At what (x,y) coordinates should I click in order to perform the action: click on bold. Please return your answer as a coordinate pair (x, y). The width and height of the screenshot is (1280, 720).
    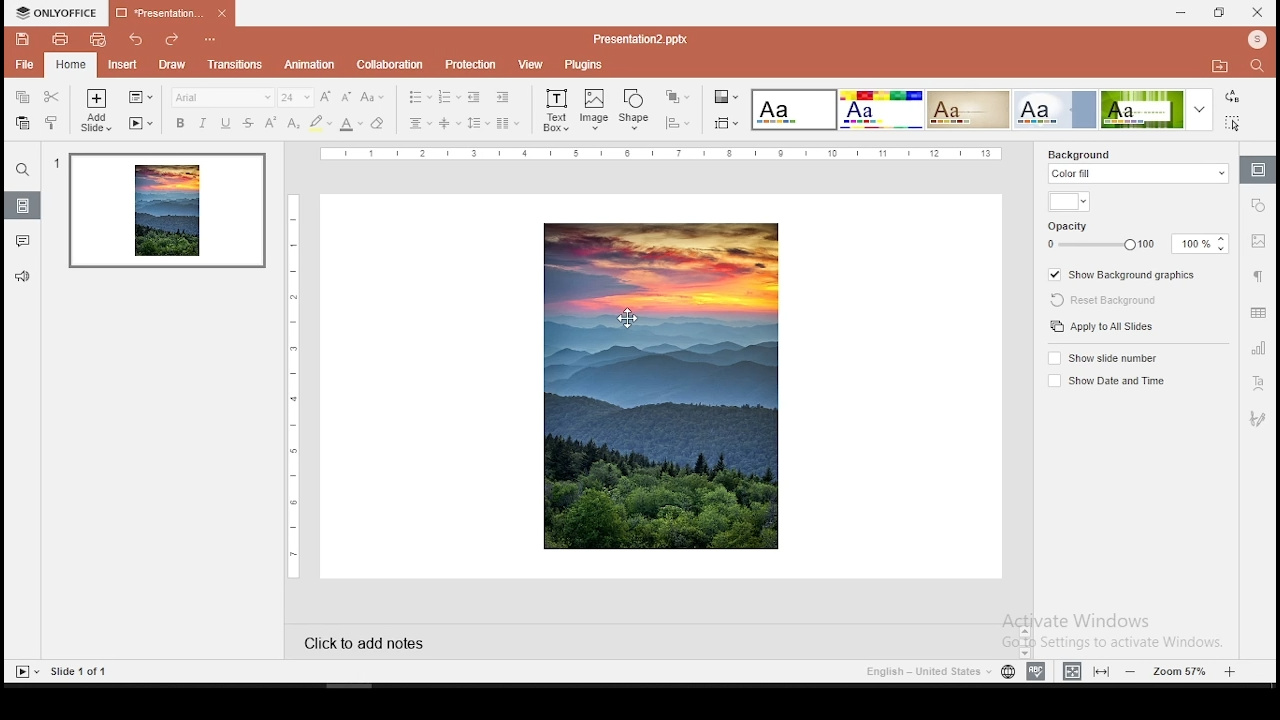
    Looking at the image, I should click on (178, 123).